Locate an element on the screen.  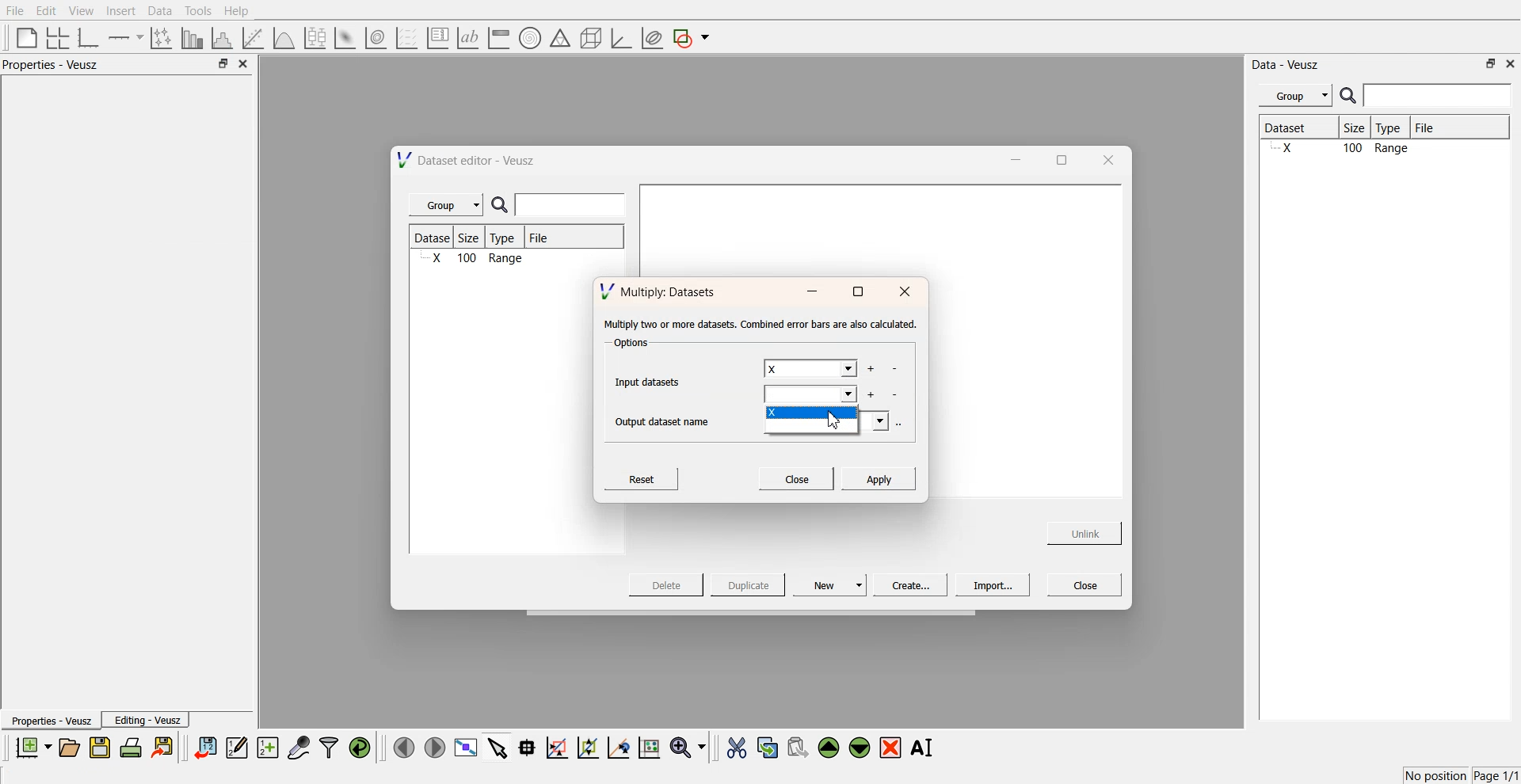
image color bar is located at coordinates (498, 39).